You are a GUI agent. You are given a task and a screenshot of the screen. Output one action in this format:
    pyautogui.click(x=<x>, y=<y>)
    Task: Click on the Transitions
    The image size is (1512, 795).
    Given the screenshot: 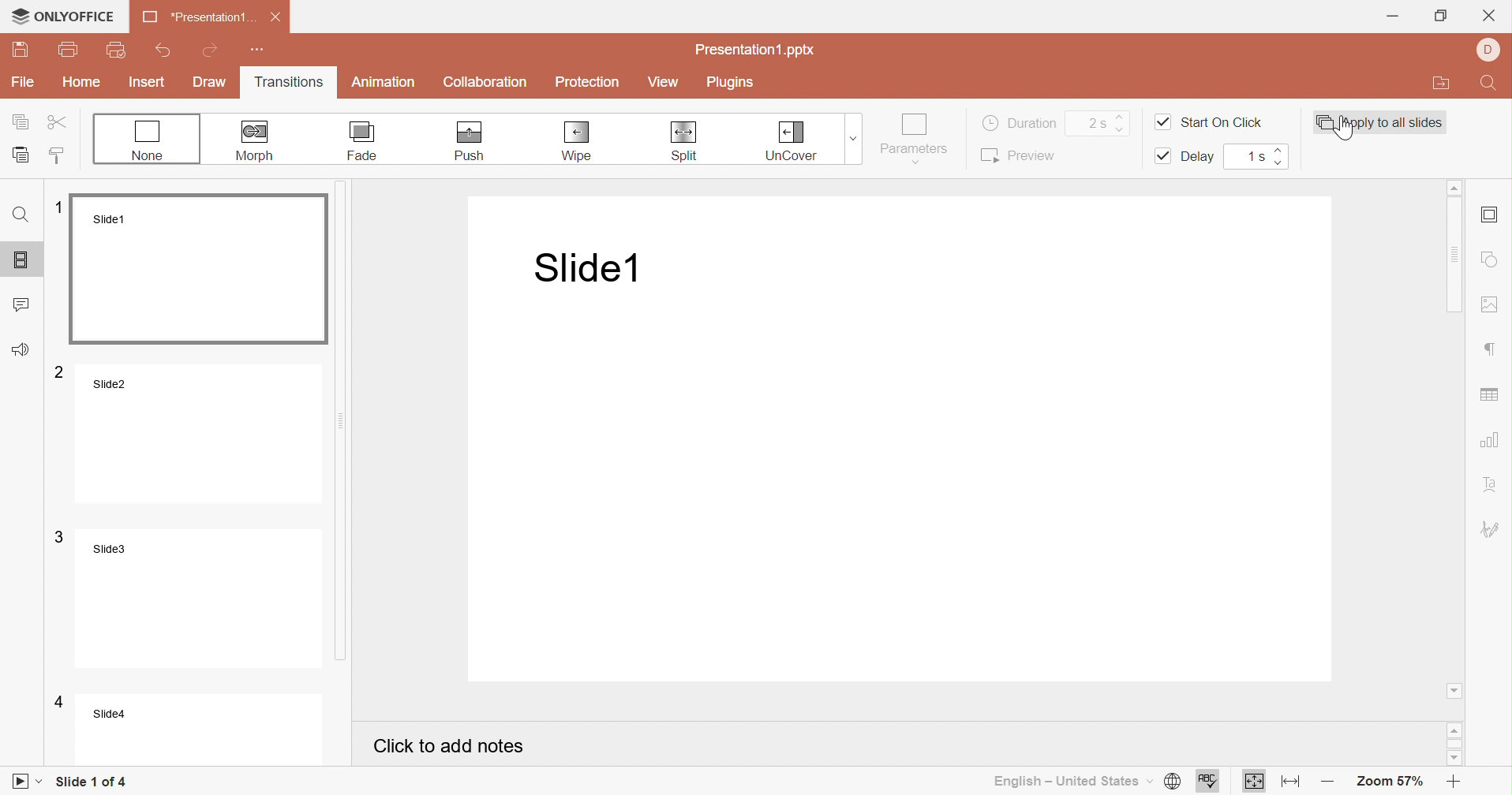 What is the action you would take?
    pyautogui.click(x=288, y=84)
    